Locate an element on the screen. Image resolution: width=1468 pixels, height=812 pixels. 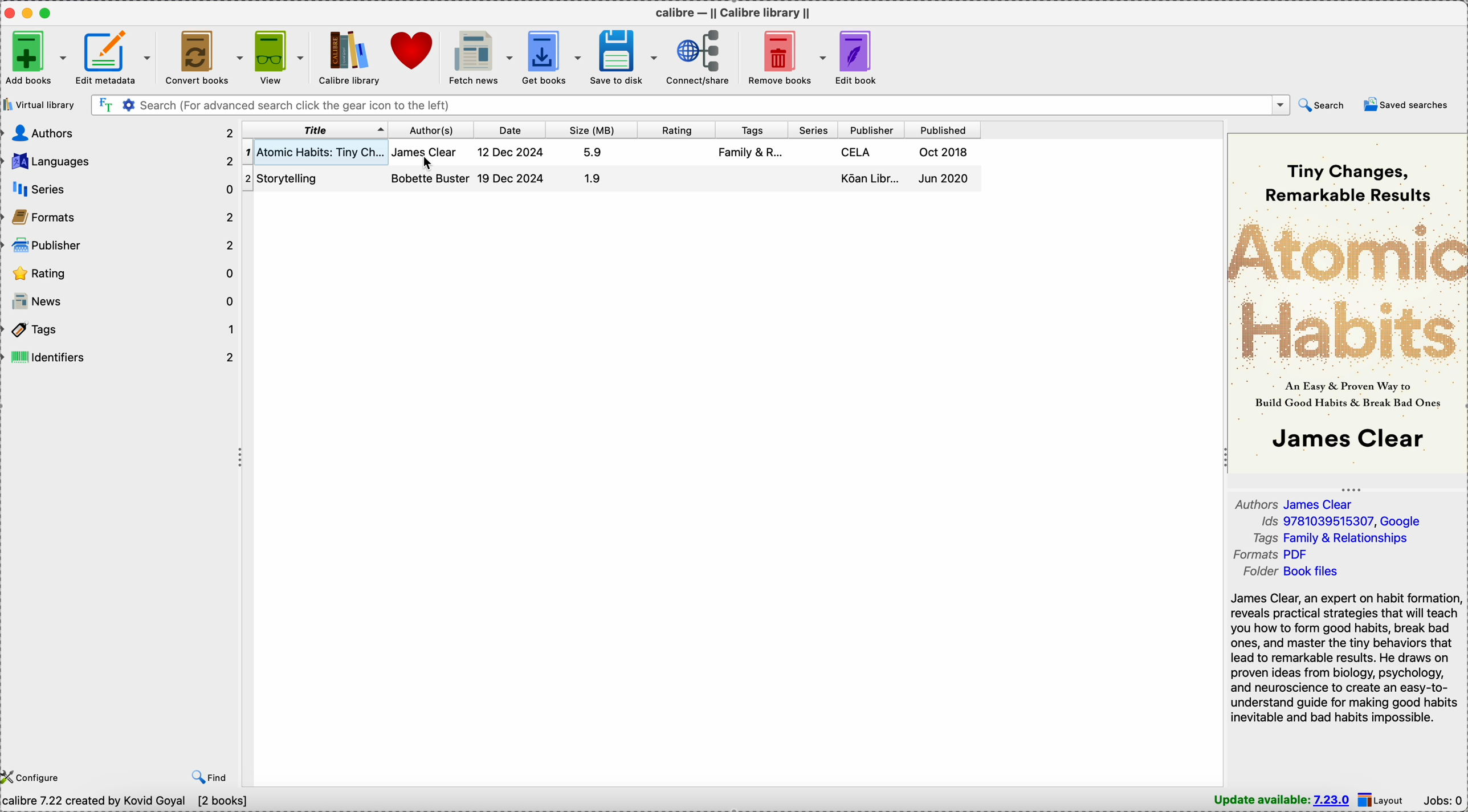
minimize Calibre is located at coordinates (30, 13).